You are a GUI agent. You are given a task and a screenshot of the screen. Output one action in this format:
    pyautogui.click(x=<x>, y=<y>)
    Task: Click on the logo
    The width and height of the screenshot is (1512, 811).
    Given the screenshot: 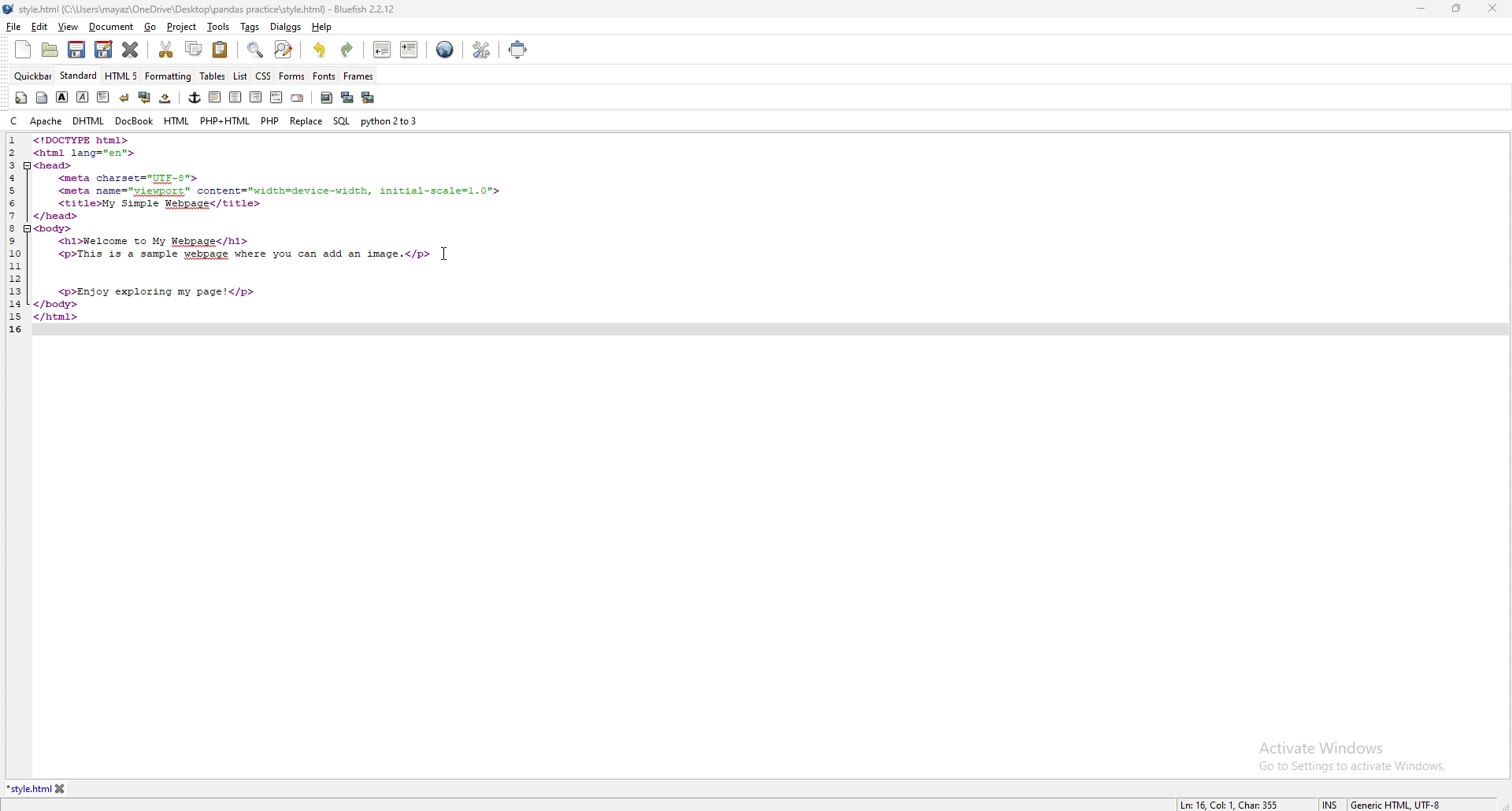 What is the action you would take?
    pyautogui.click(x=11, y=9)
    